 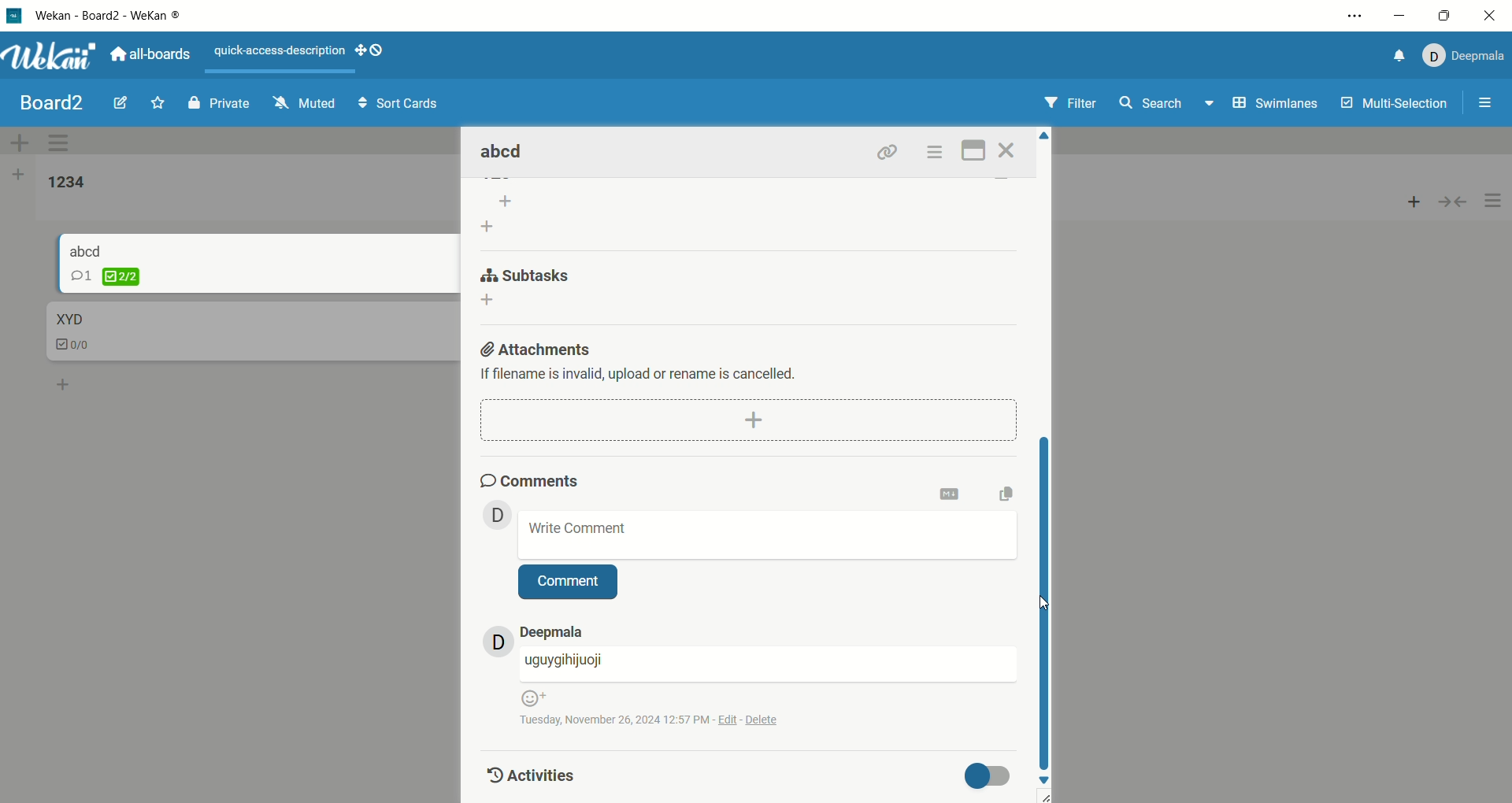 What do you see at coordinates (50, 58) in the screenshot?
I see `wekan` at bounding box center [50, 58].